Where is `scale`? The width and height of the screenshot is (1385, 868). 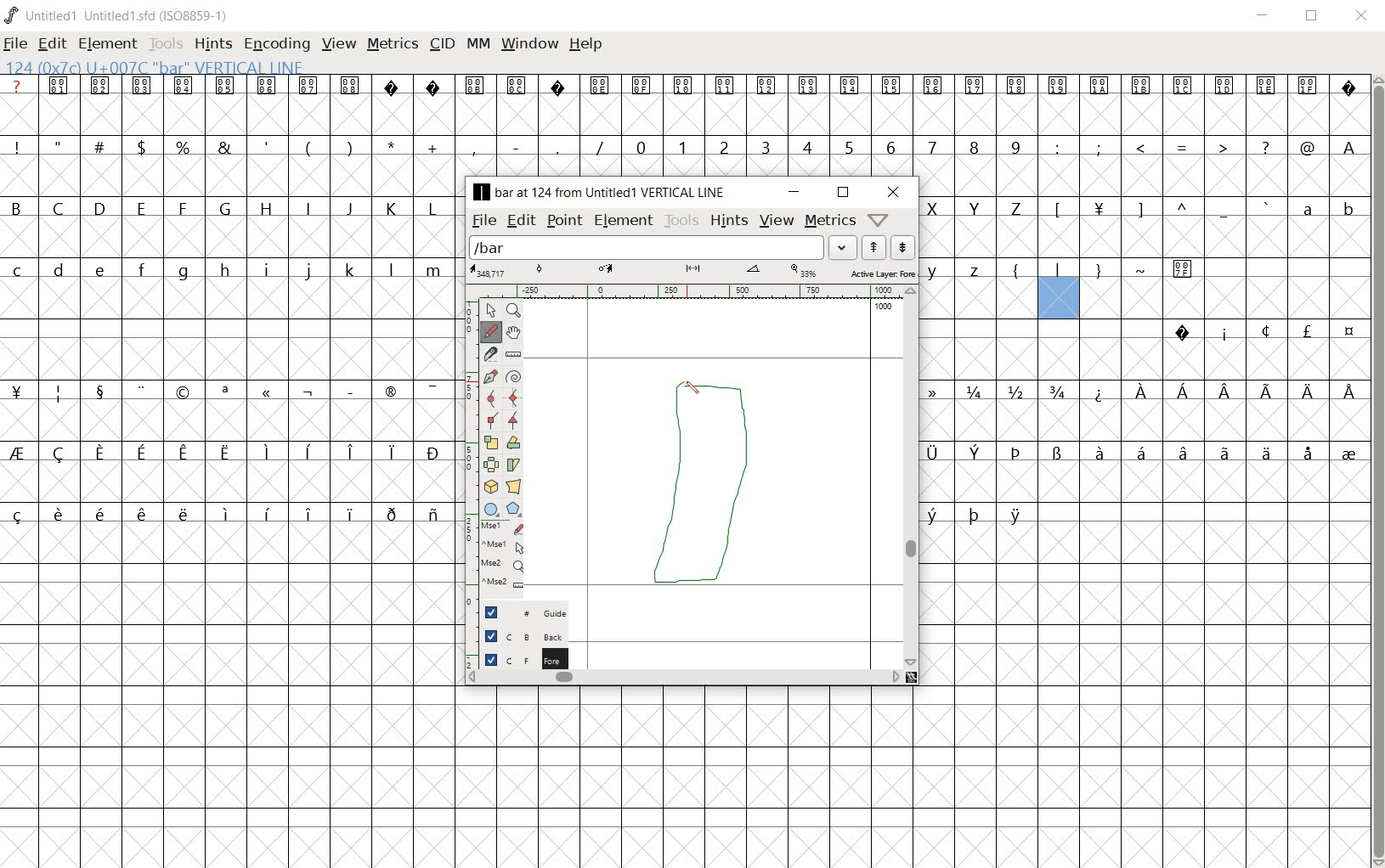 scale is located at coordinates (692, 270).